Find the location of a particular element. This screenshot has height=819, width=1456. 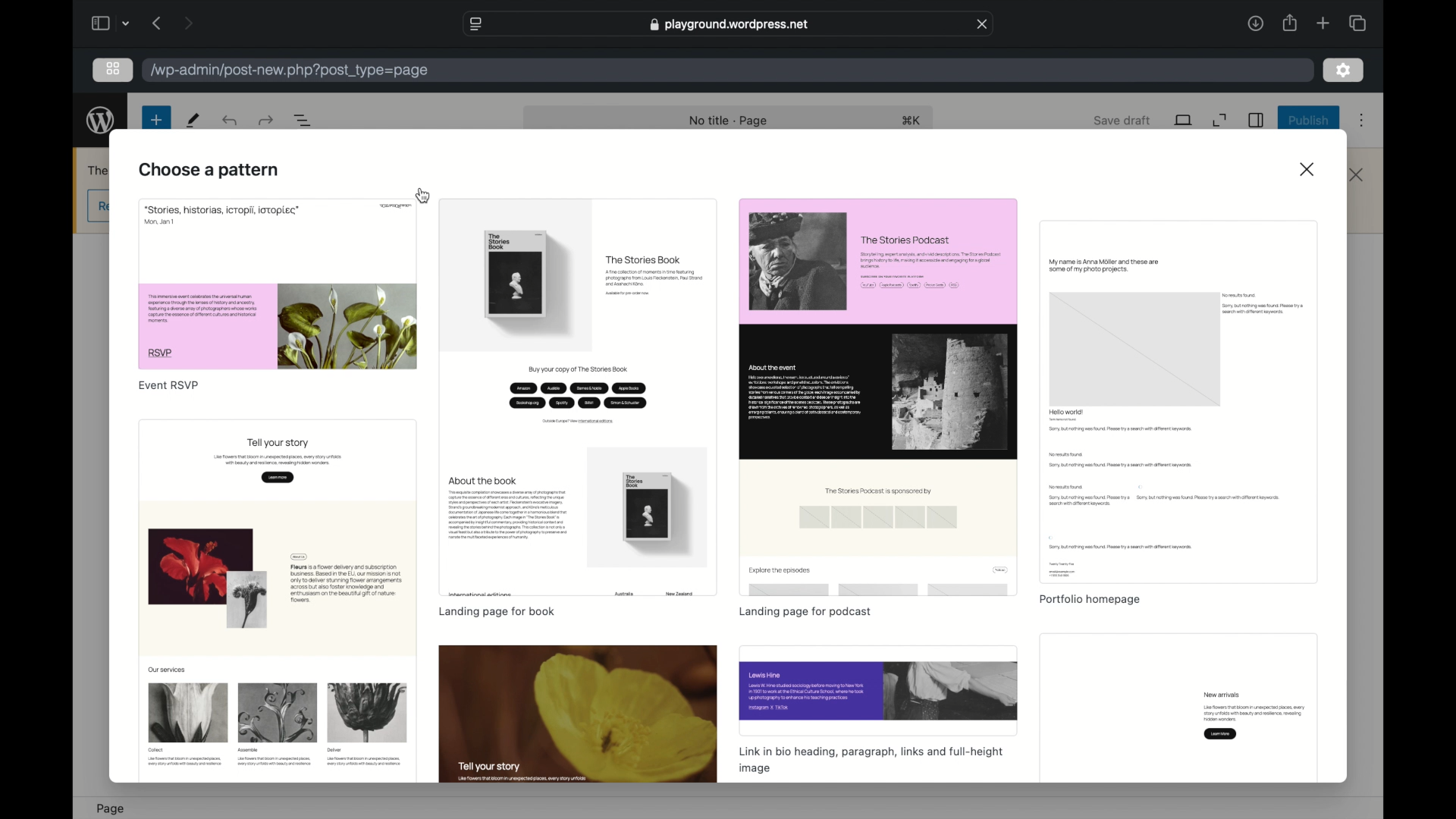

landing page for book is located at coordinates (499, 613).